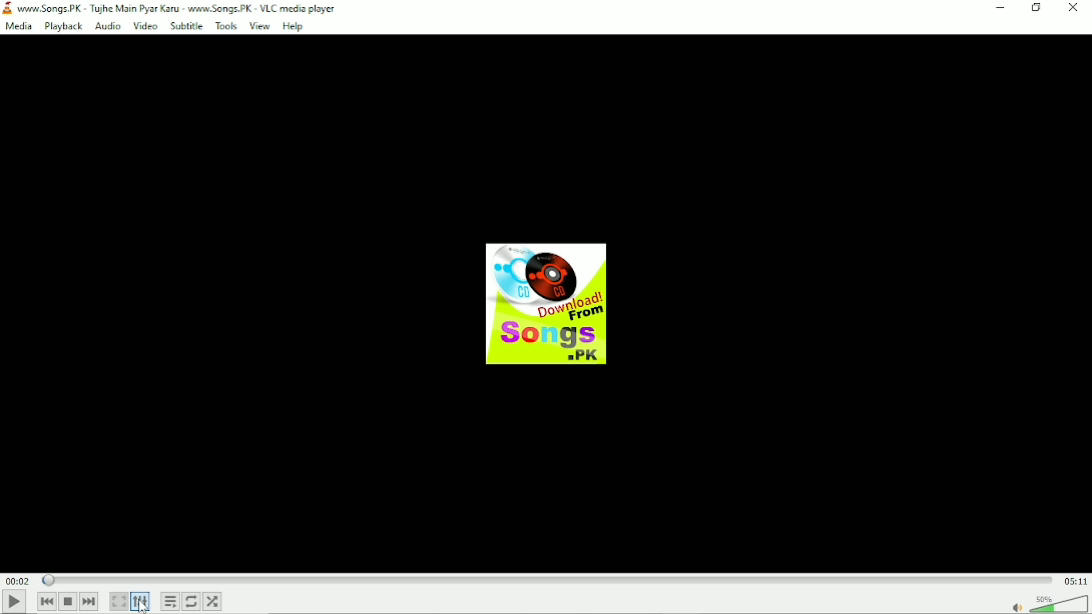 This screenshot has height=614, width=1092. I want to click on Elapsed time, so click(17, 580).